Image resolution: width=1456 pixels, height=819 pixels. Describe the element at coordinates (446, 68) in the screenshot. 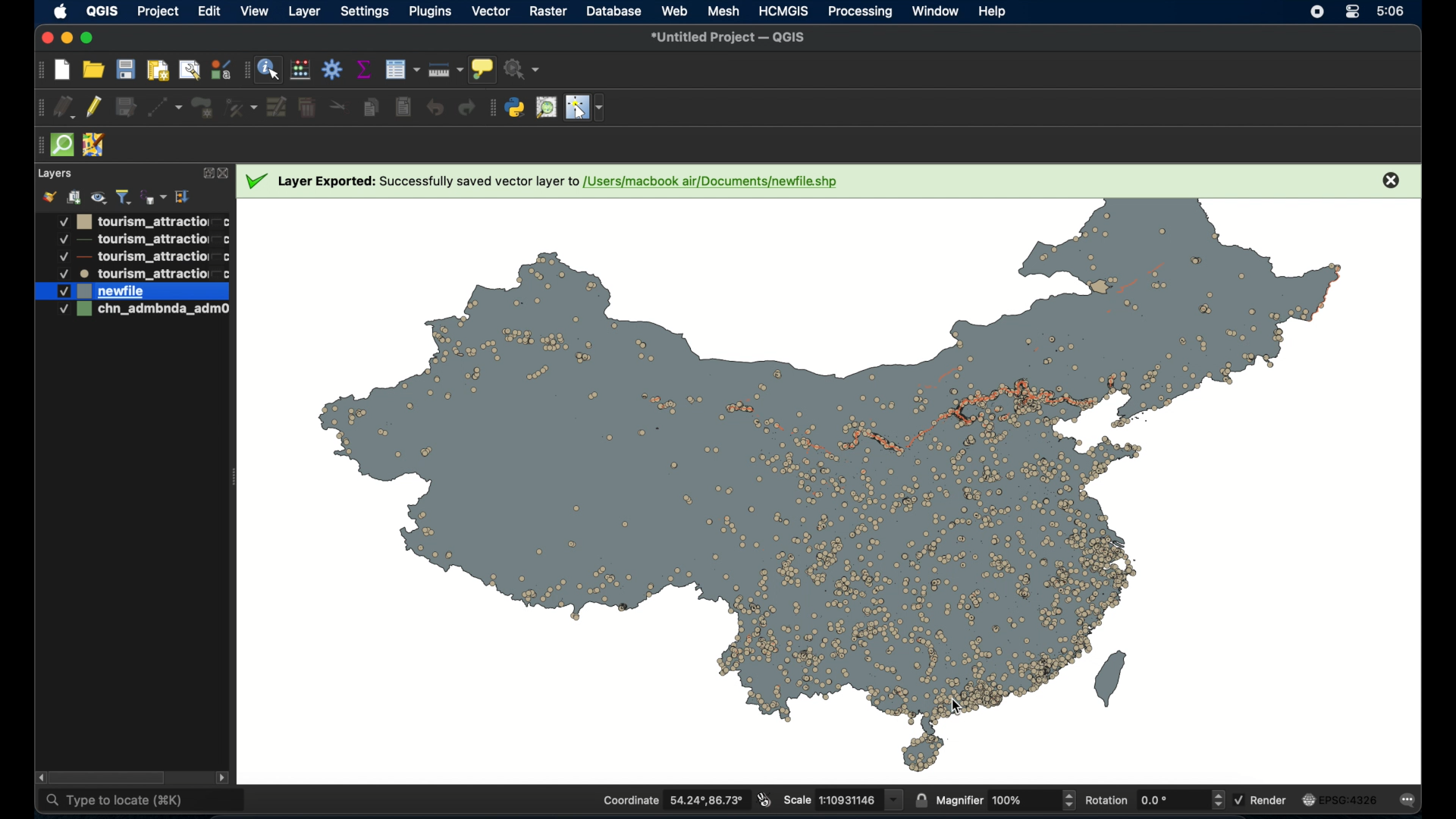

I see `measure line` at that location.